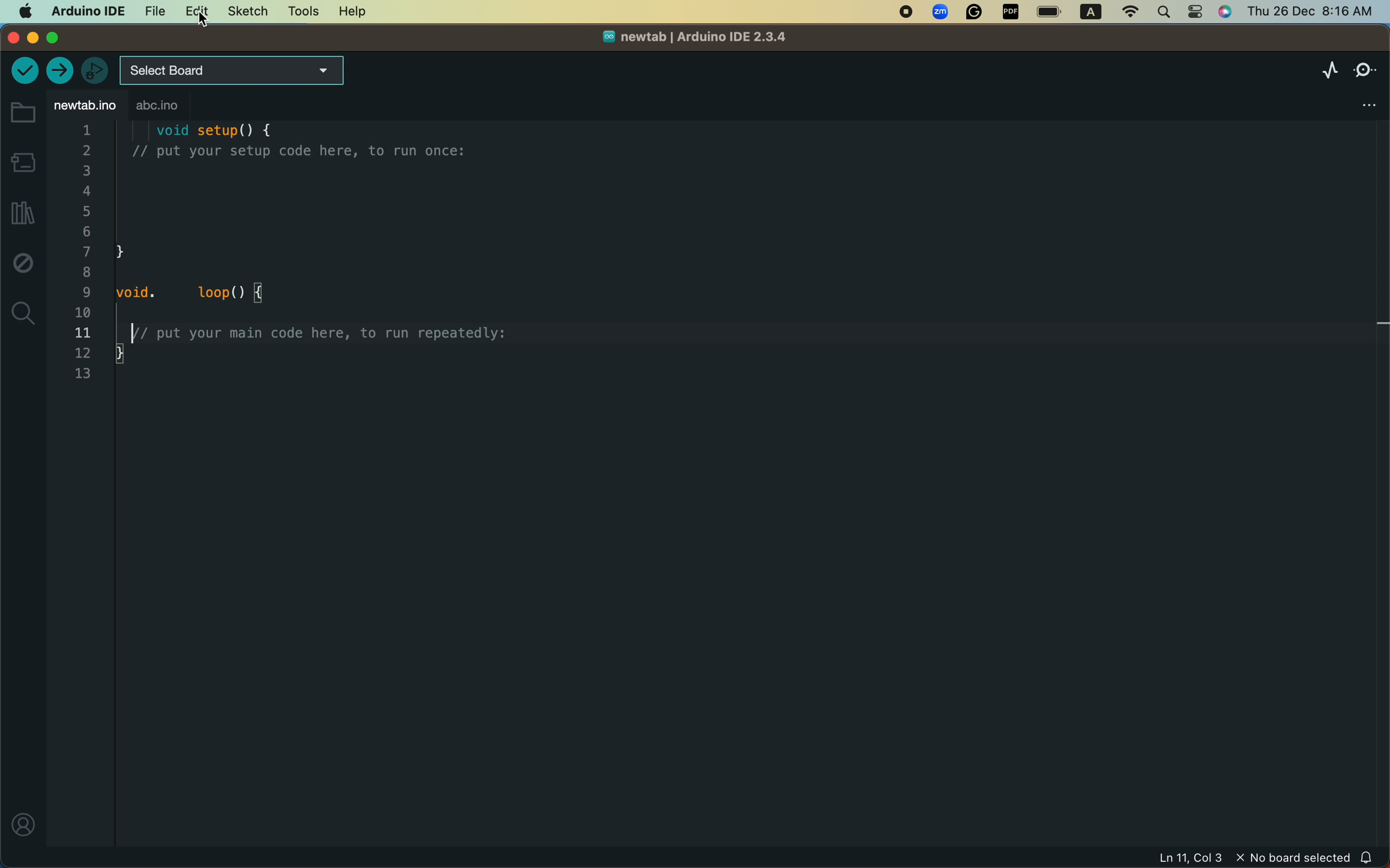 The width and height of the screenshot is (1390, 868). What do you see at coordinates (244, 12) in the screenshot?
I see `sketch` at bounding box center [244, 12].